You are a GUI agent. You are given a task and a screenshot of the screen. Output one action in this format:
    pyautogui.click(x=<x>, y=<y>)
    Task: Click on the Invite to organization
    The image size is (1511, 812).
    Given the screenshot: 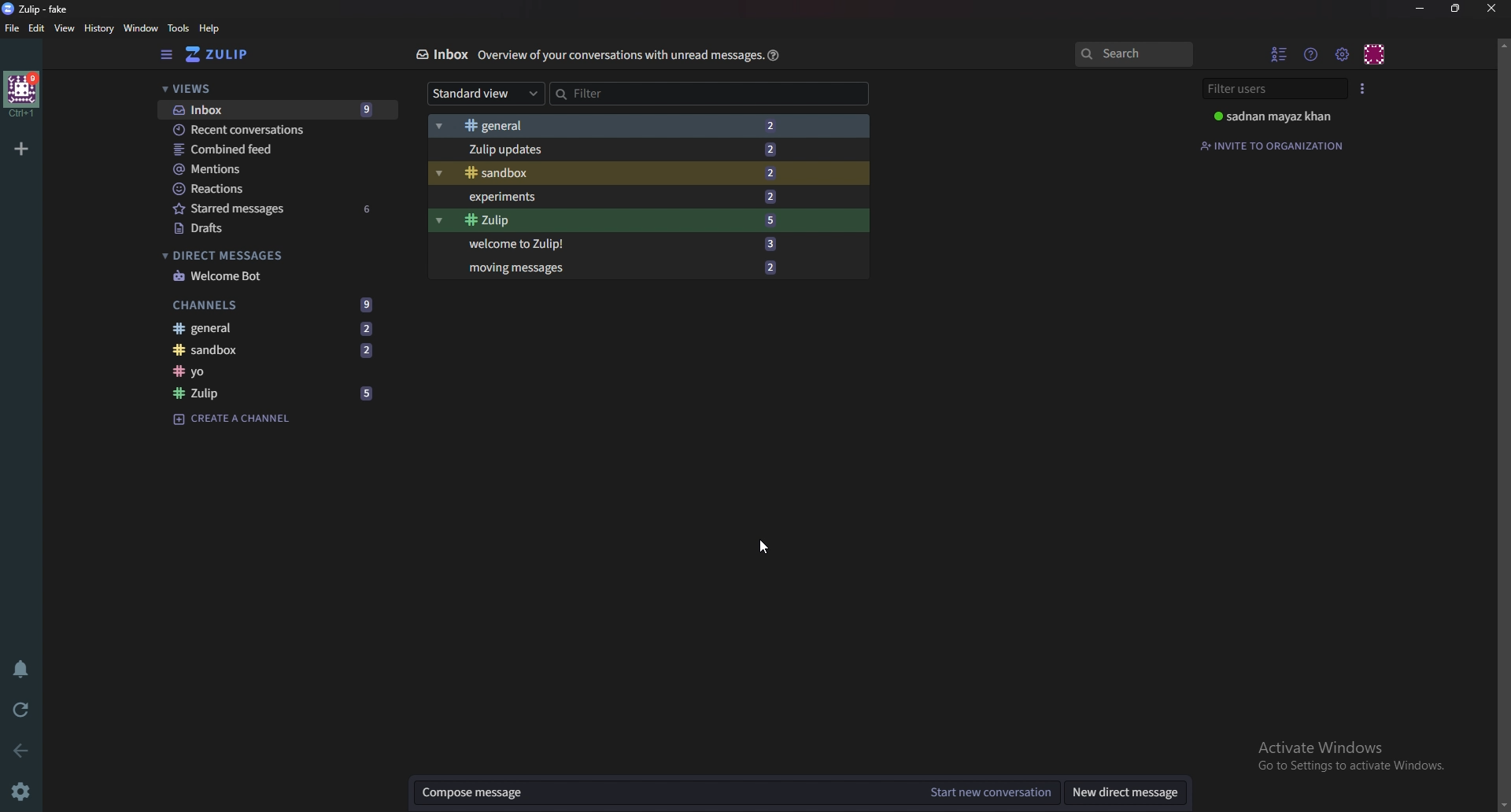 What is the action you would take?
    pyautogui.click(x=1272, y=143)
    